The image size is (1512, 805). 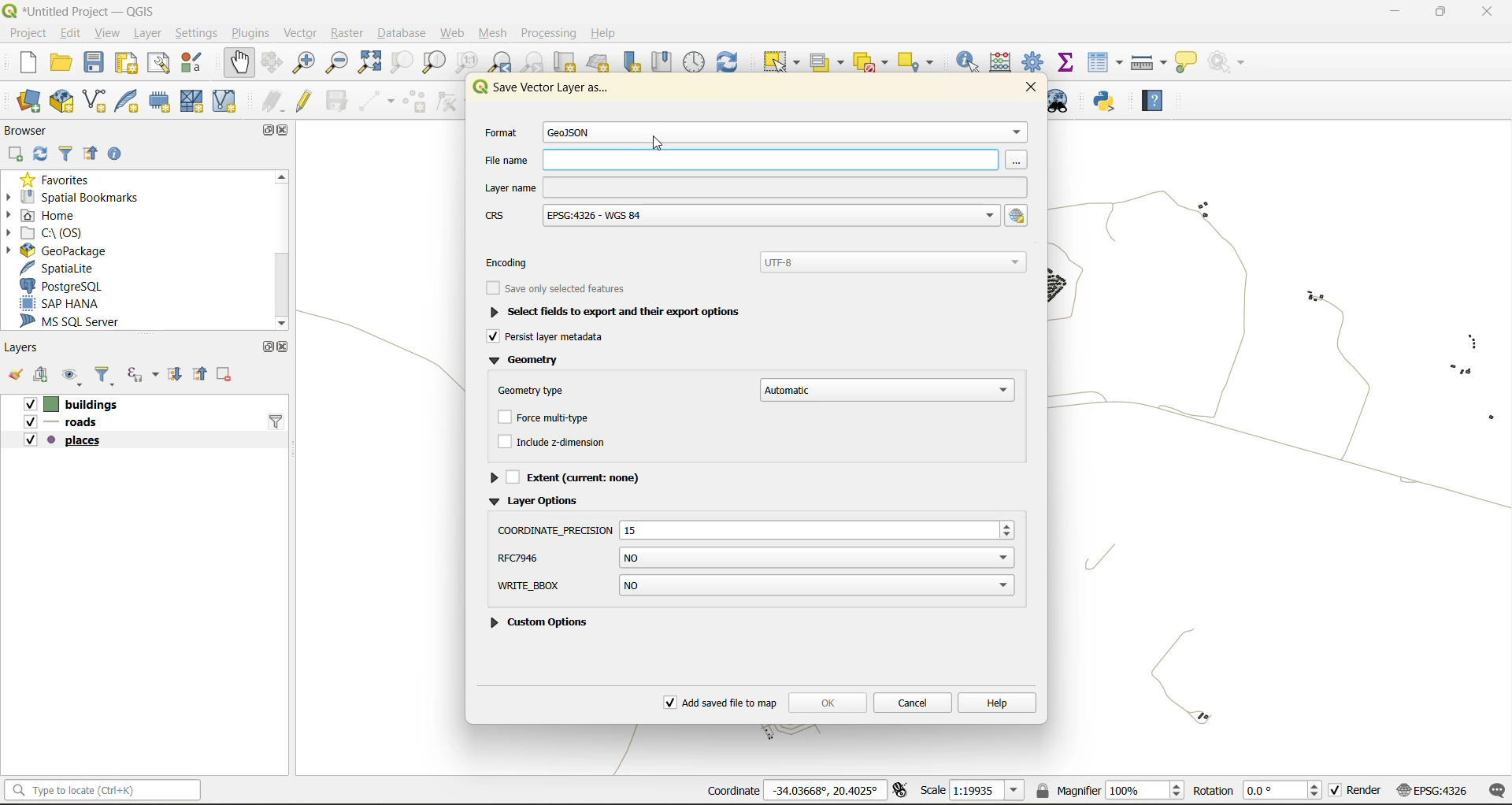 I want to click on Vv [| buildings, so click(x=78, y=403).